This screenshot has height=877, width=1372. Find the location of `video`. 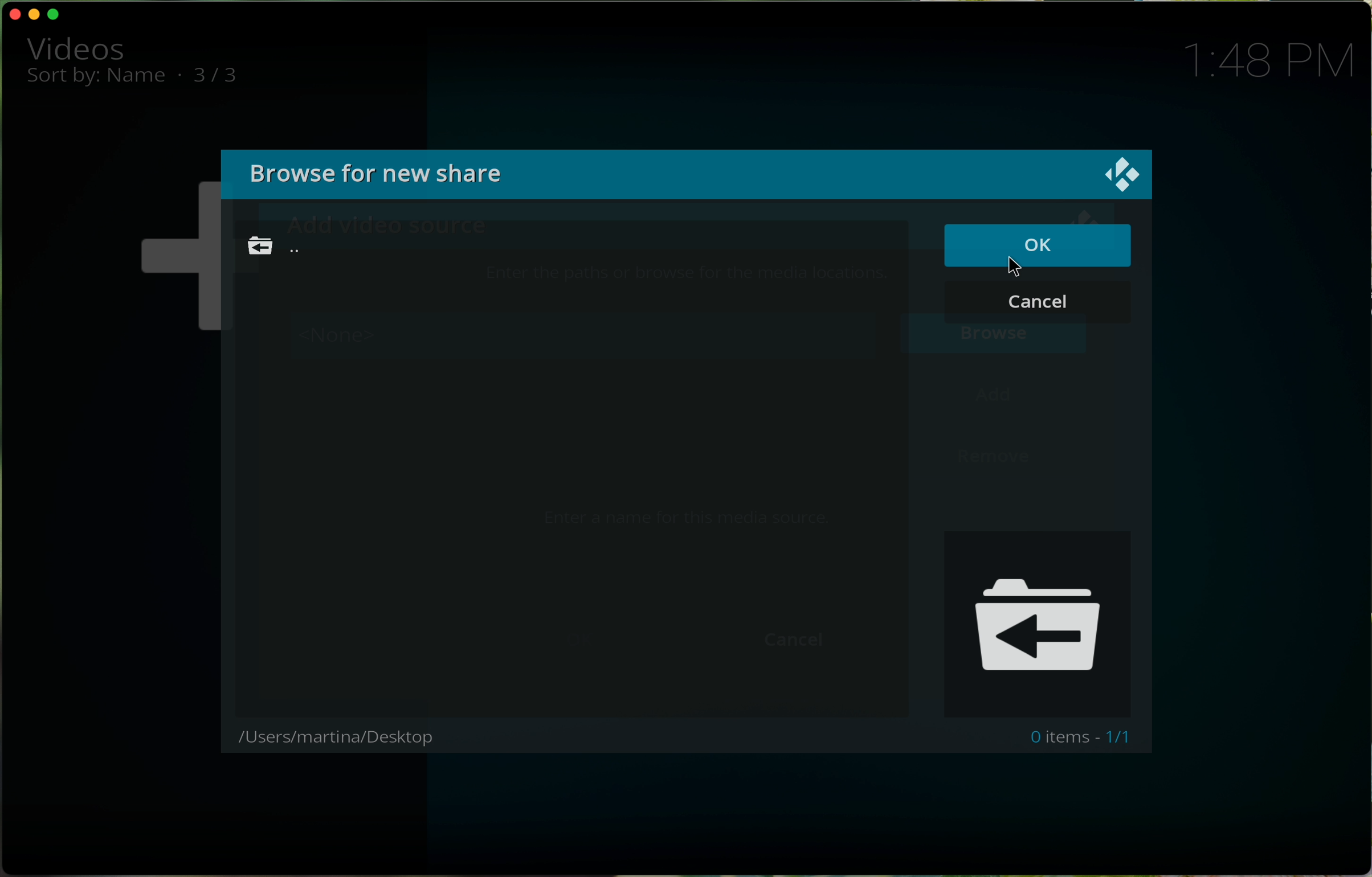

video is located at coordinates (75, 47).